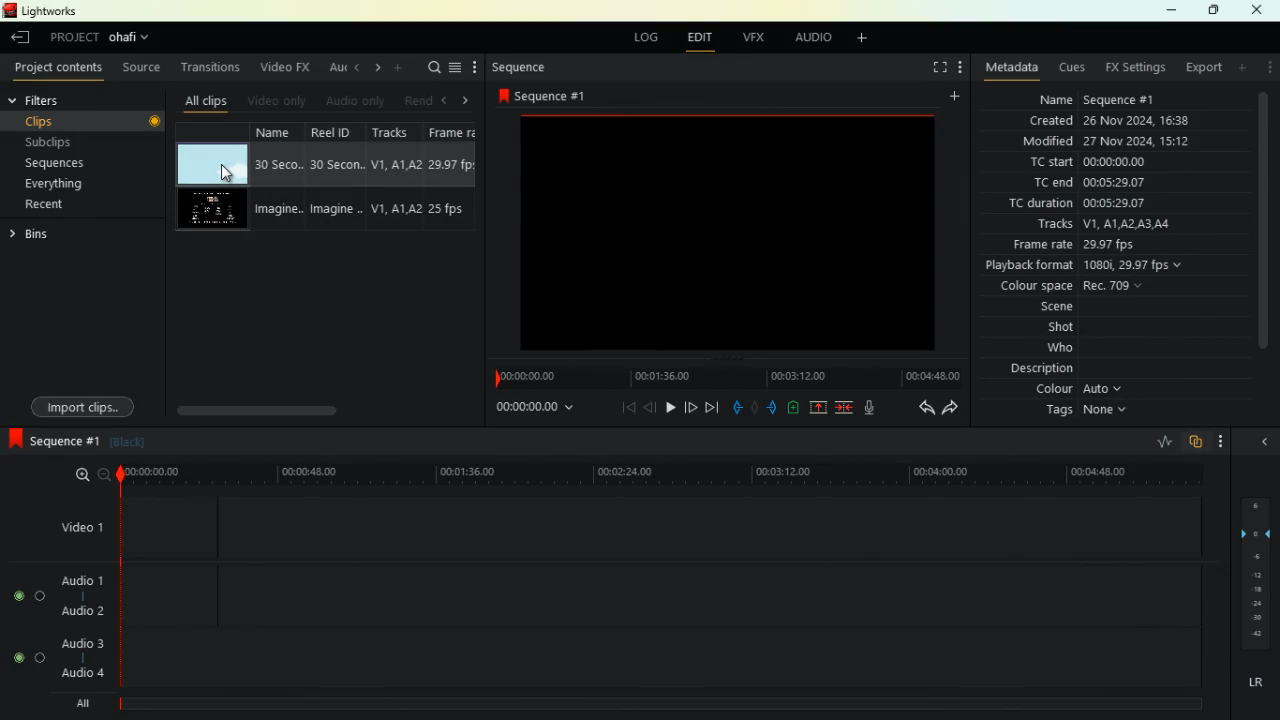 The width and height of the screenshot is (1280, 720). What do you see at coordinates (877, 409) in the screenshot?
I see `mic` at bounding box center [877, 409].